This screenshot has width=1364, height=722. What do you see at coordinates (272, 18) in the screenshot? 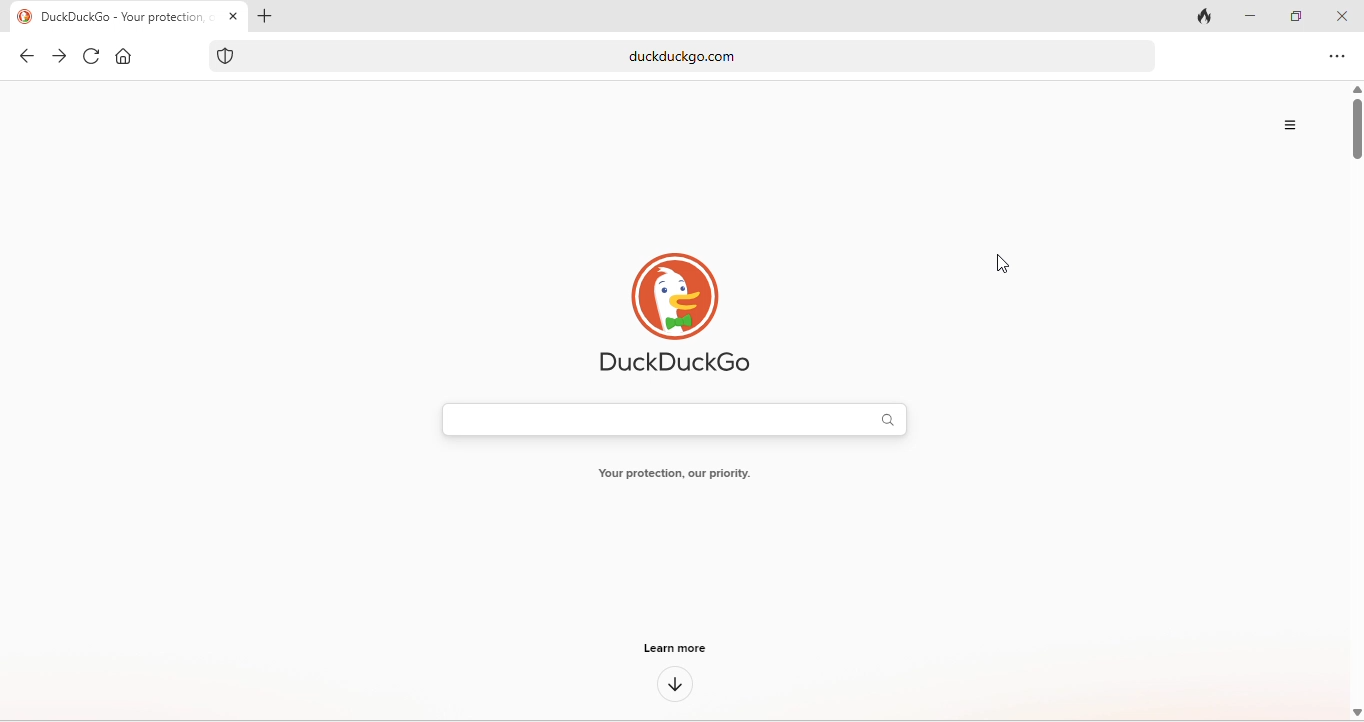
I see `add tab` at bounding box center [272, 18].